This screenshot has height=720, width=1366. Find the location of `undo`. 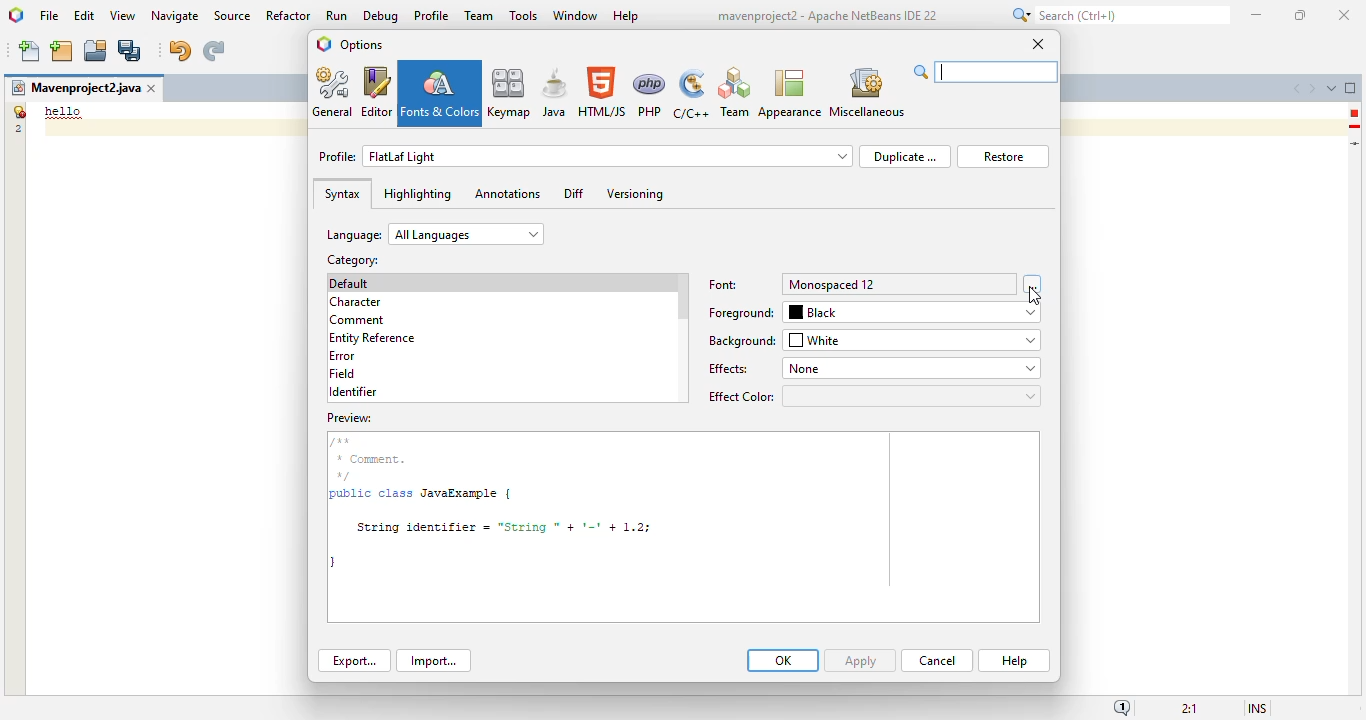

undo is located at coordinates (179, 51).